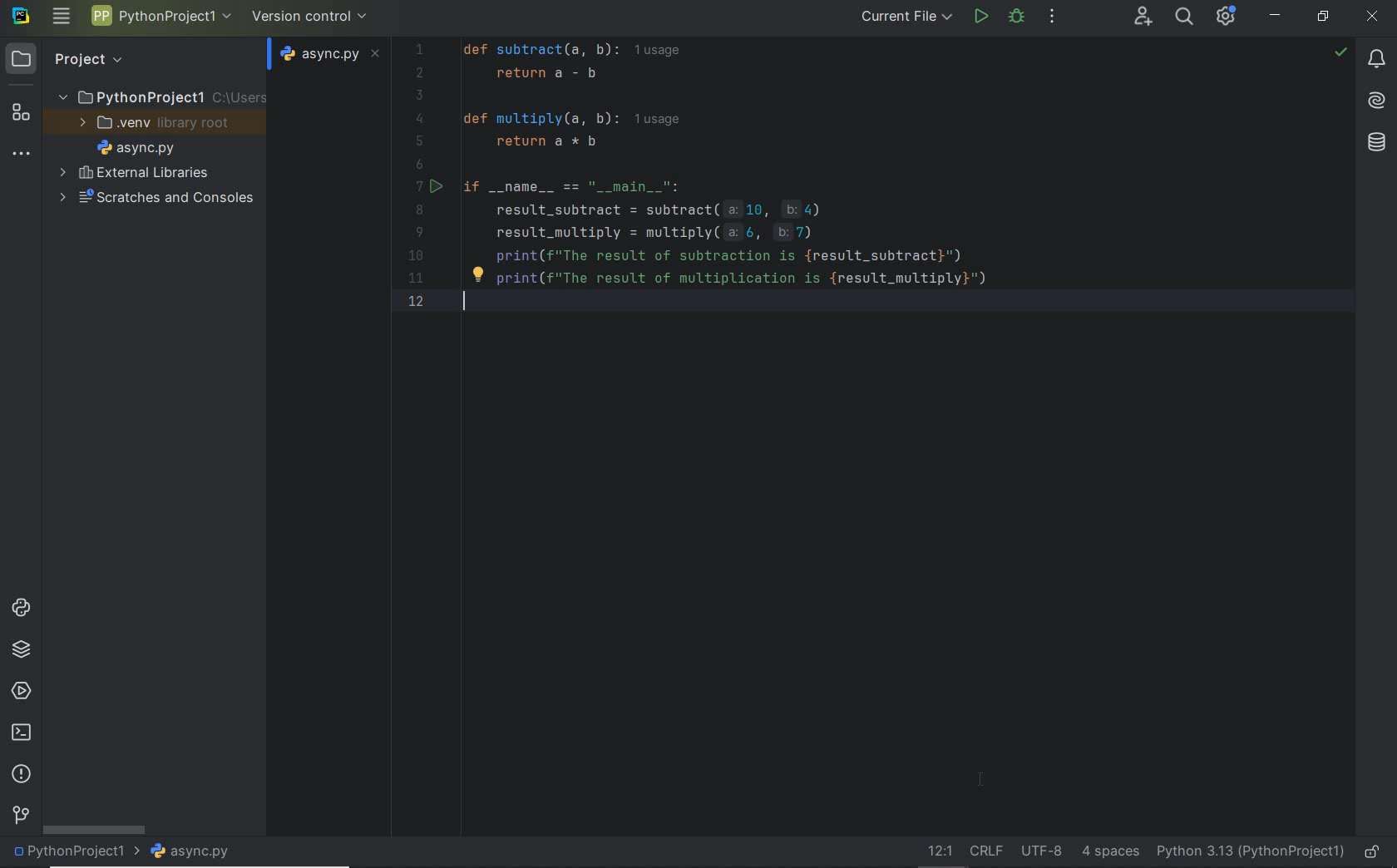  Describe the element at coordinates (136, 148) in the screenshot. I see `project files` at that location.